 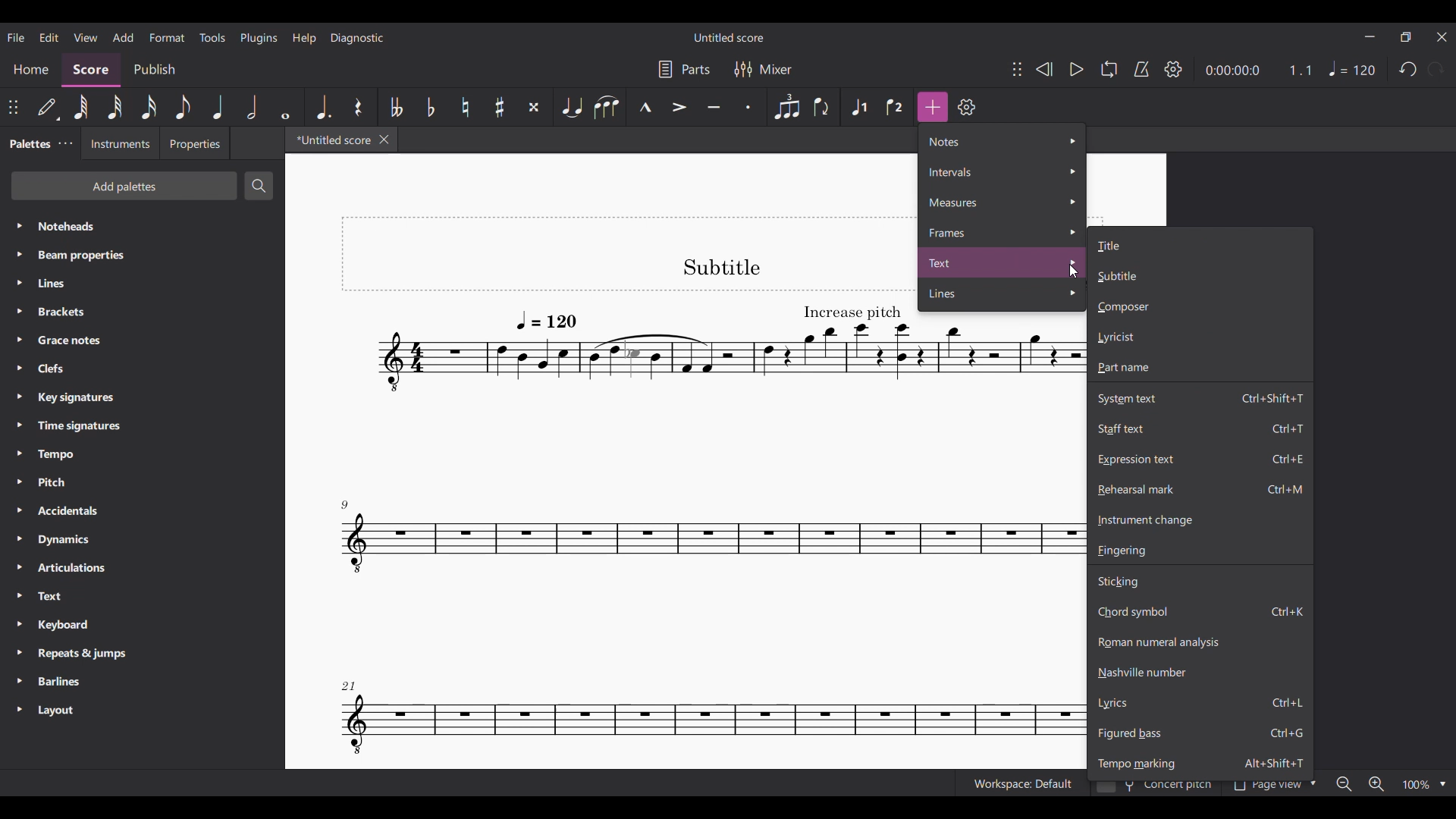 I want to click on Palettes settings, so click(x=66, y=143).